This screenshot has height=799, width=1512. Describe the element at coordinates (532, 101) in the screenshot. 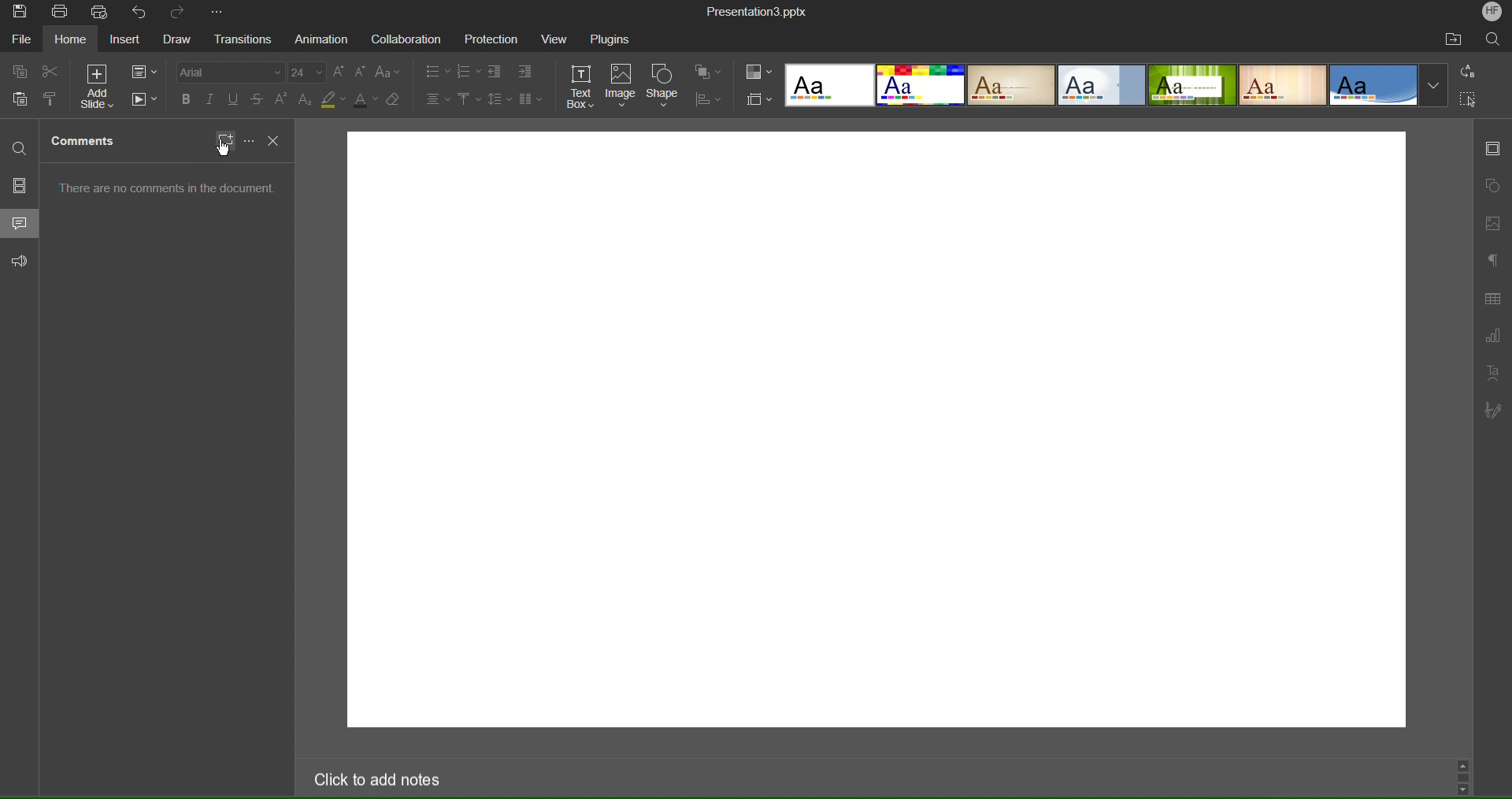

I see `Columns` at that location.